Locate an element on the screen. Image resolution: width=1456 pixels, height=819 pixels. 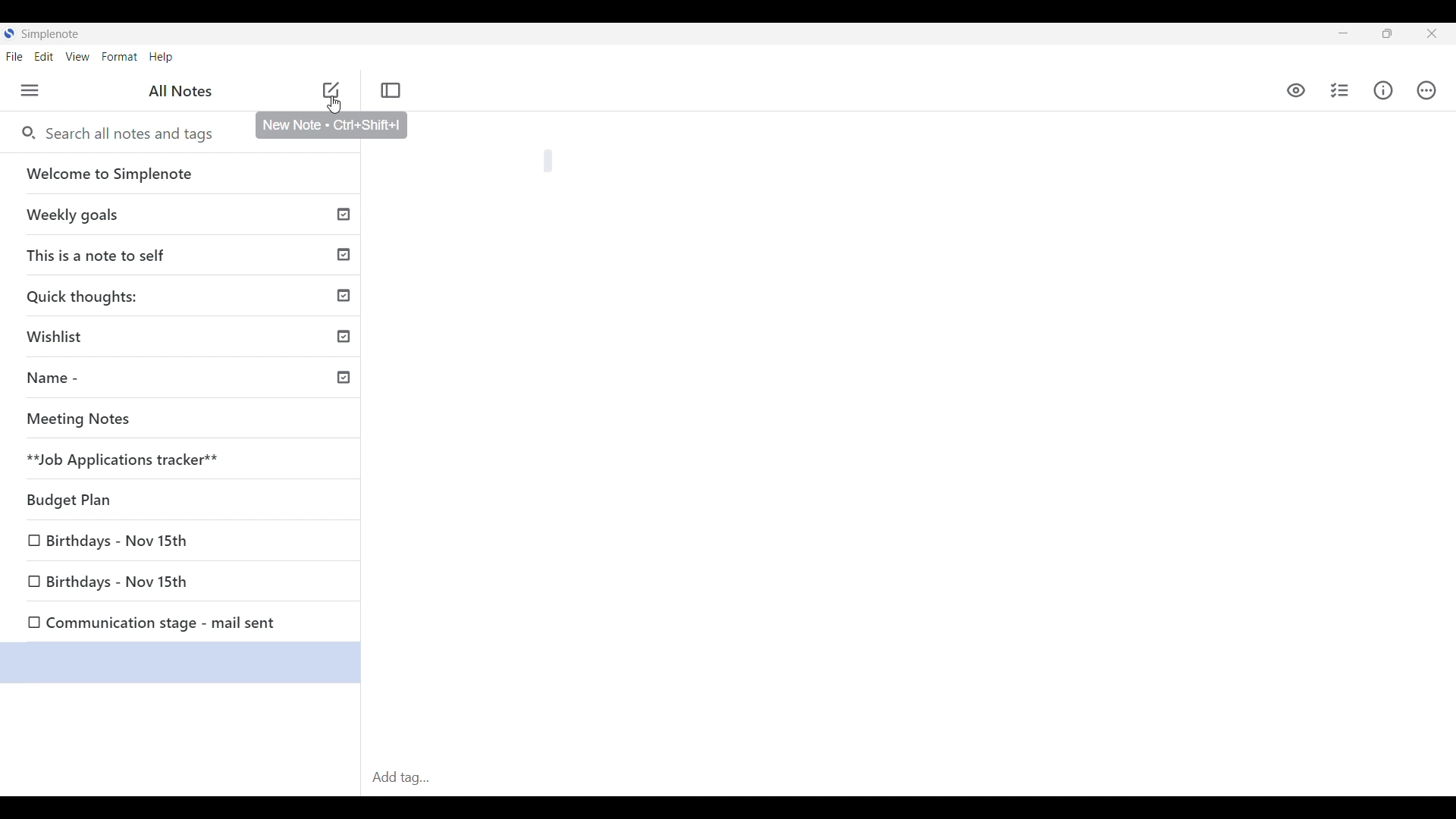
Actions is located at coordinates (1426, 90).